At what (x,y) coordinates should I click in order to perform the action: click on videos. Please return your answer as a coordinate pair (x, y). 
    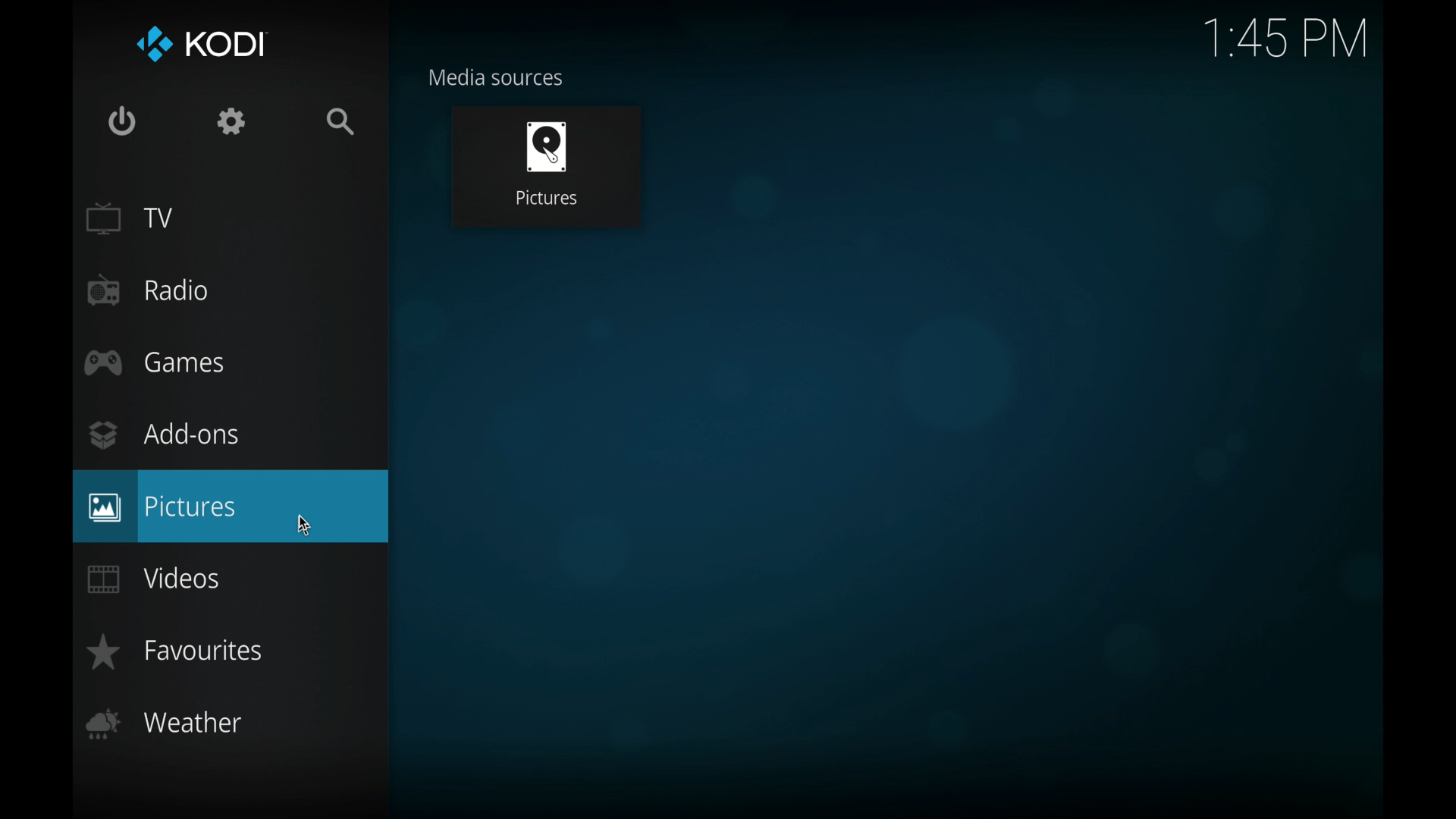
    Looking at the image, I should click on (155, 578).